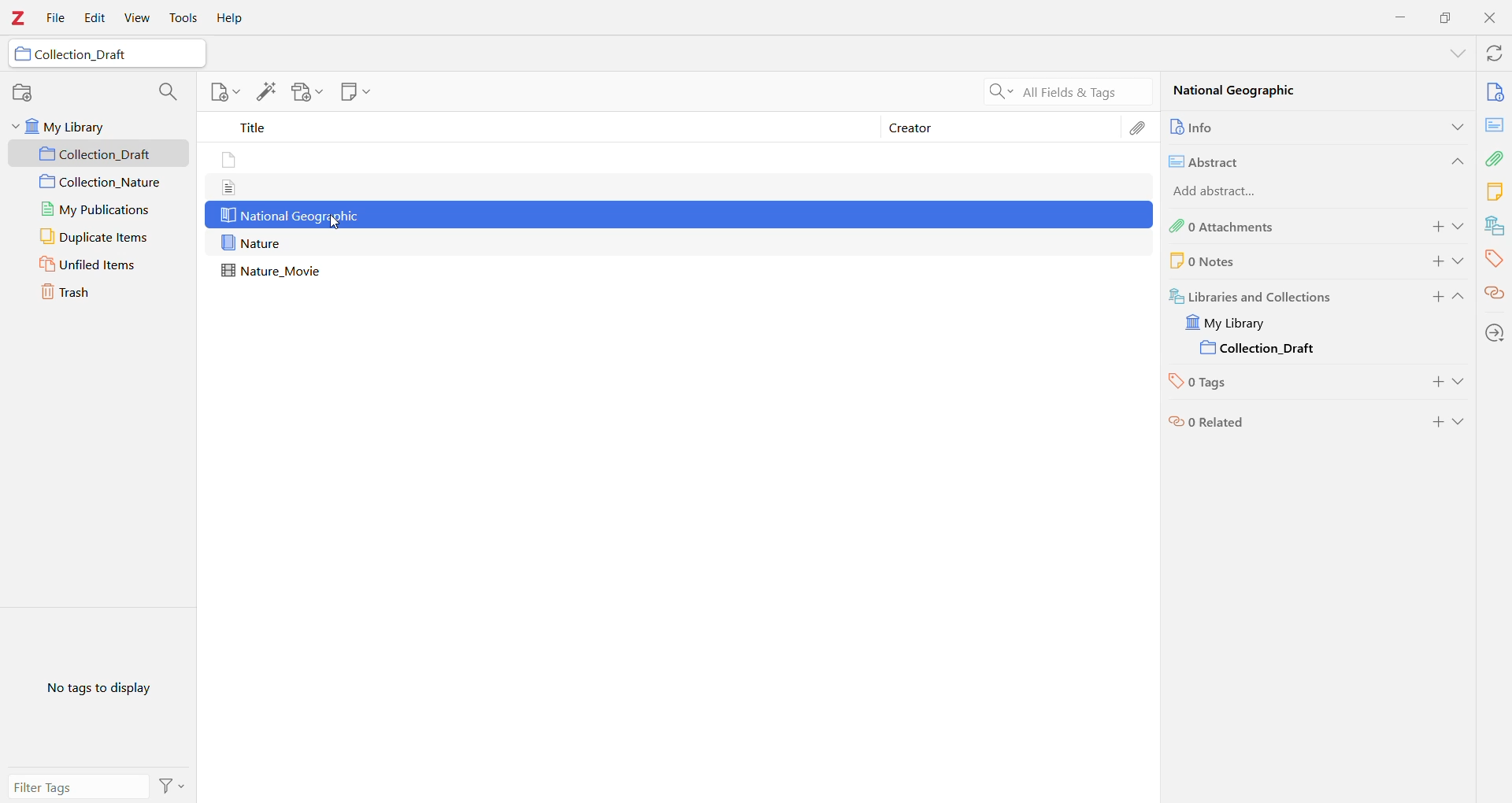  Describe the element at coordinates (224, 94) in the screenshot. I see `New Item` at that location.